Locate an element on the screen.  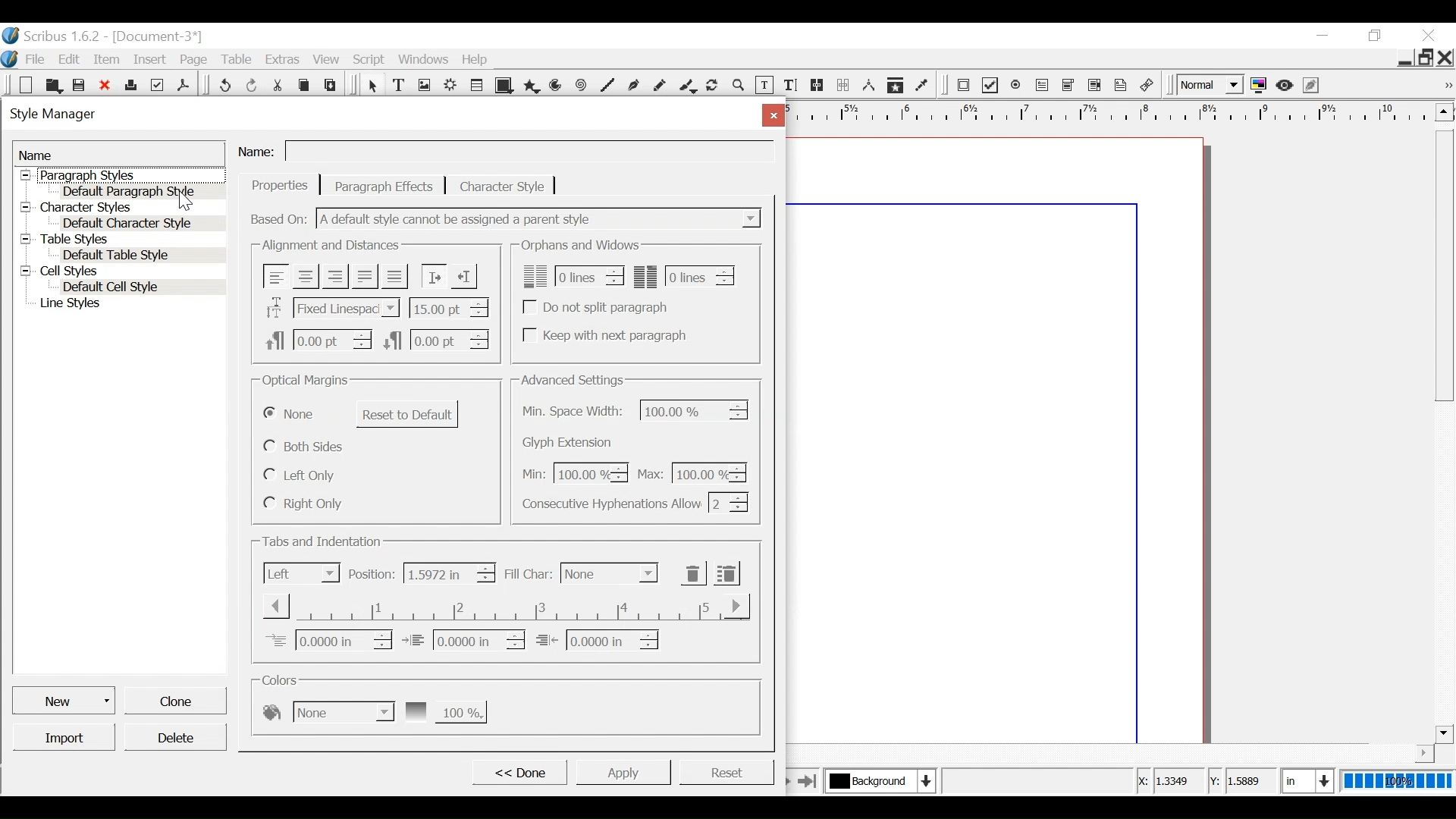
Edit Contents of frame is located at coordinates (764, 86).